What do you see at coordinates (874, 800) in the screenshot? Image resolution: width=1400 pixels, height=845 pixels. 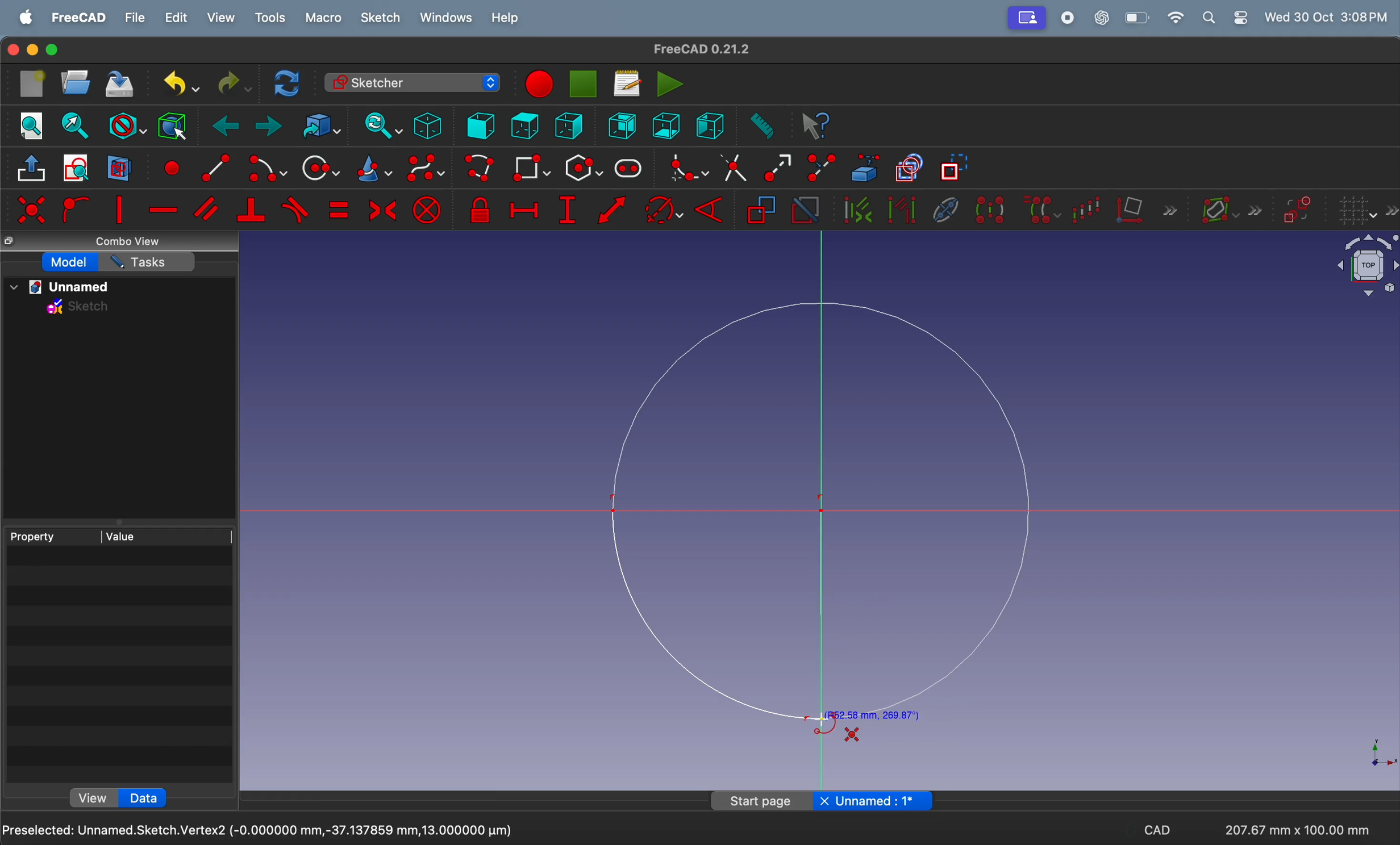 I see `Unnamed` at bounding box center [874, 800].